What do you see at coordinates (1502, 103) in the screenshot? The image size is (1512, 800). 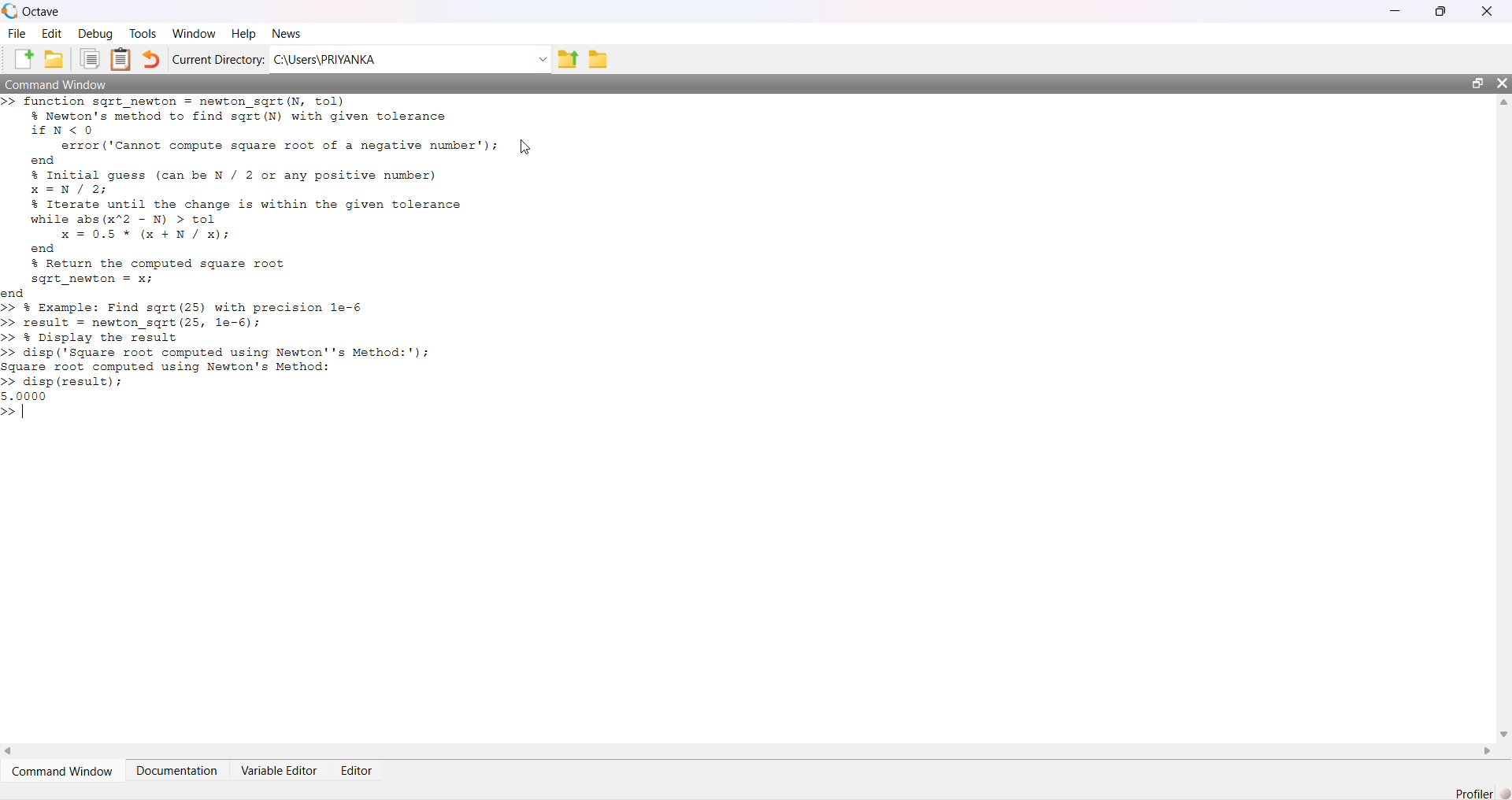 I see `Up` at bounding box center [1502, 103].